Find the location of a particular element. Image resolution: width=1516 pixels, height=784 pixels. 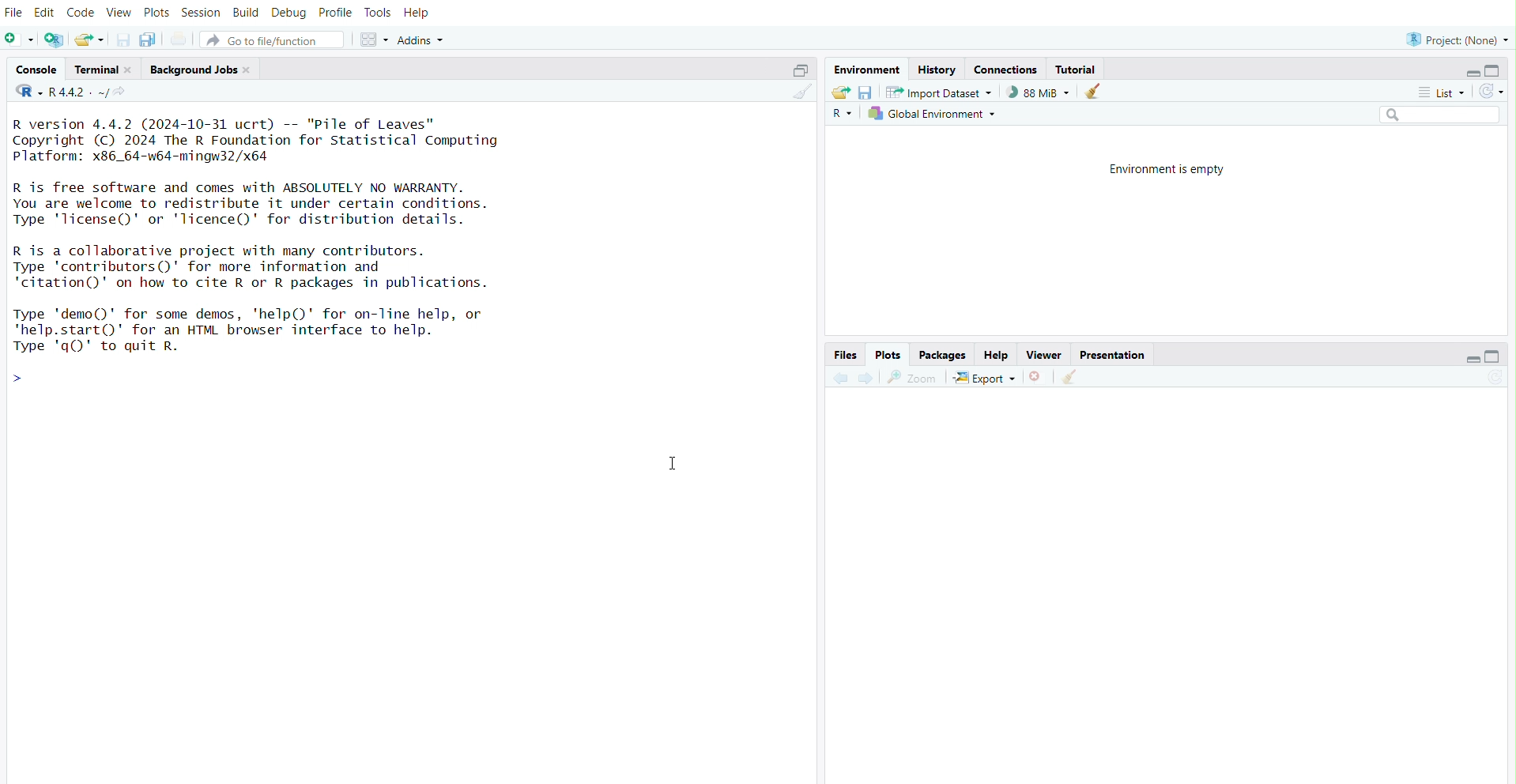

next plot is located at coordinates (865, 379).